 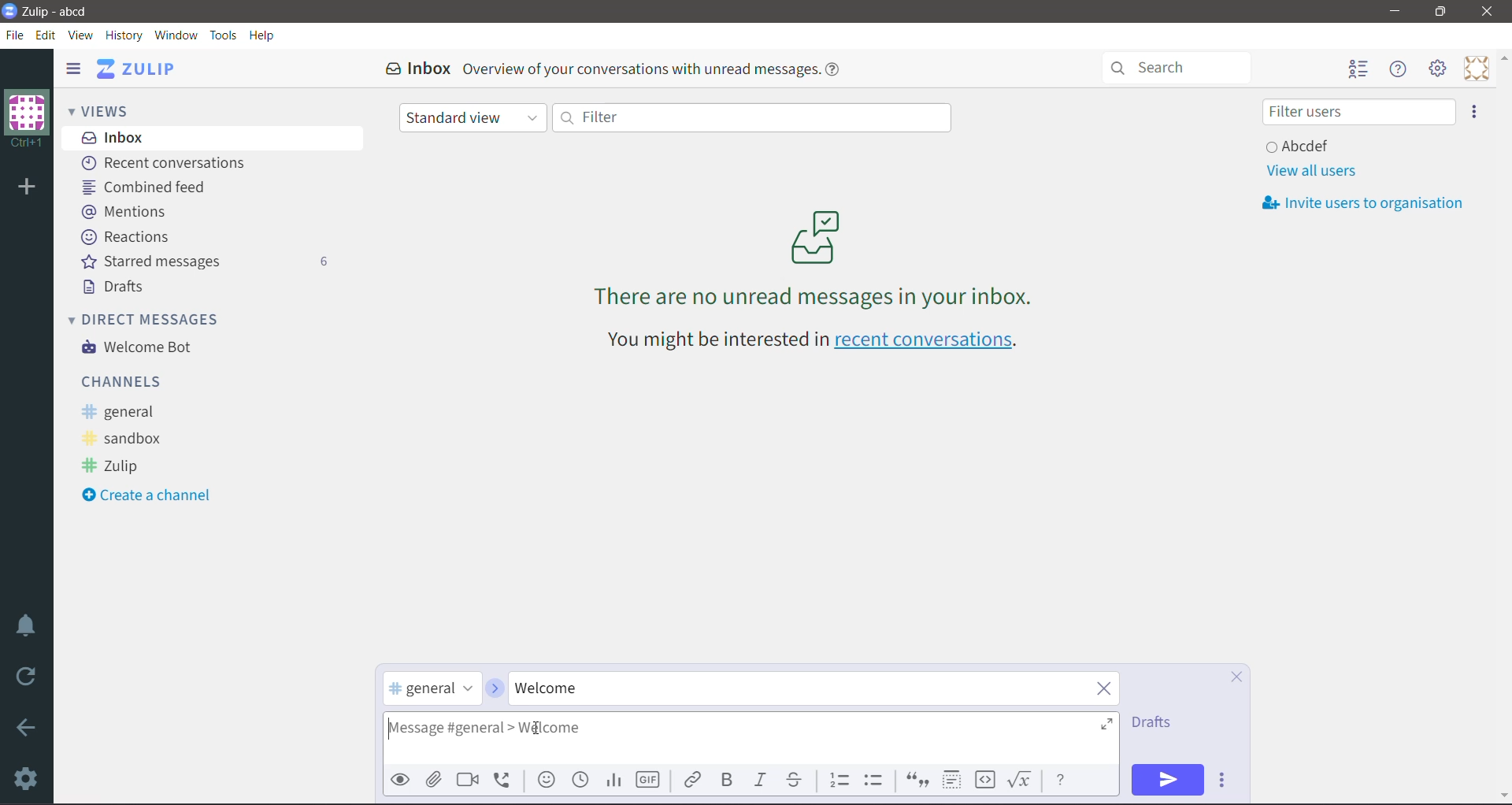 What do you see at coordinates (213, 137) in the screenshot?
I see `Inbox` at bounding box center [213, 137].